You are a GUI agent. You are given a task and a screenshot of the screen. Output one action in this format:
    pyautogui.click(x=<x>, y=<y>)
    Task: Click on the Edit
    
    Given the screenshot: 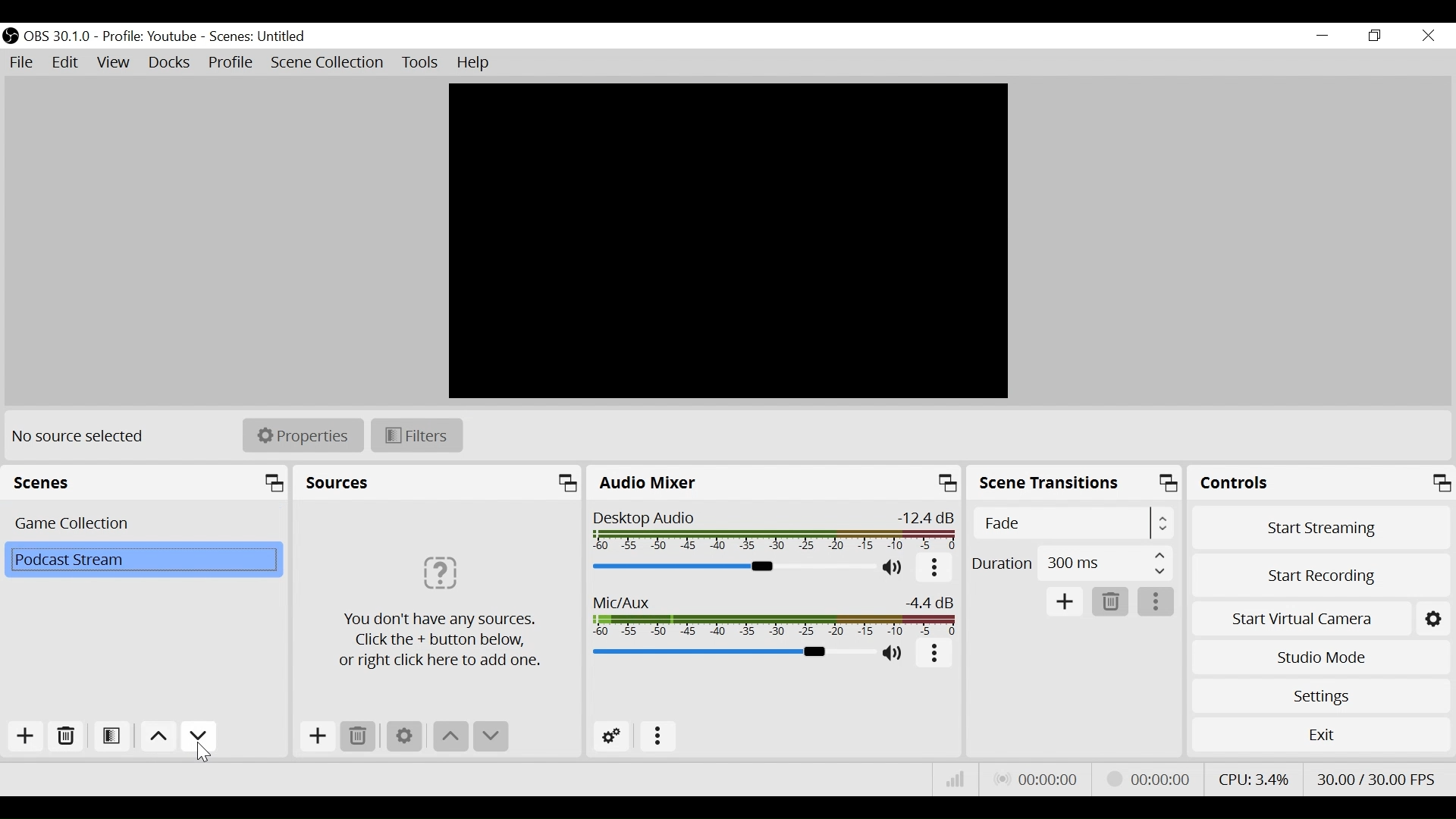 What is the action you would take?
    pyautogui.click(x=67, y=63)
    